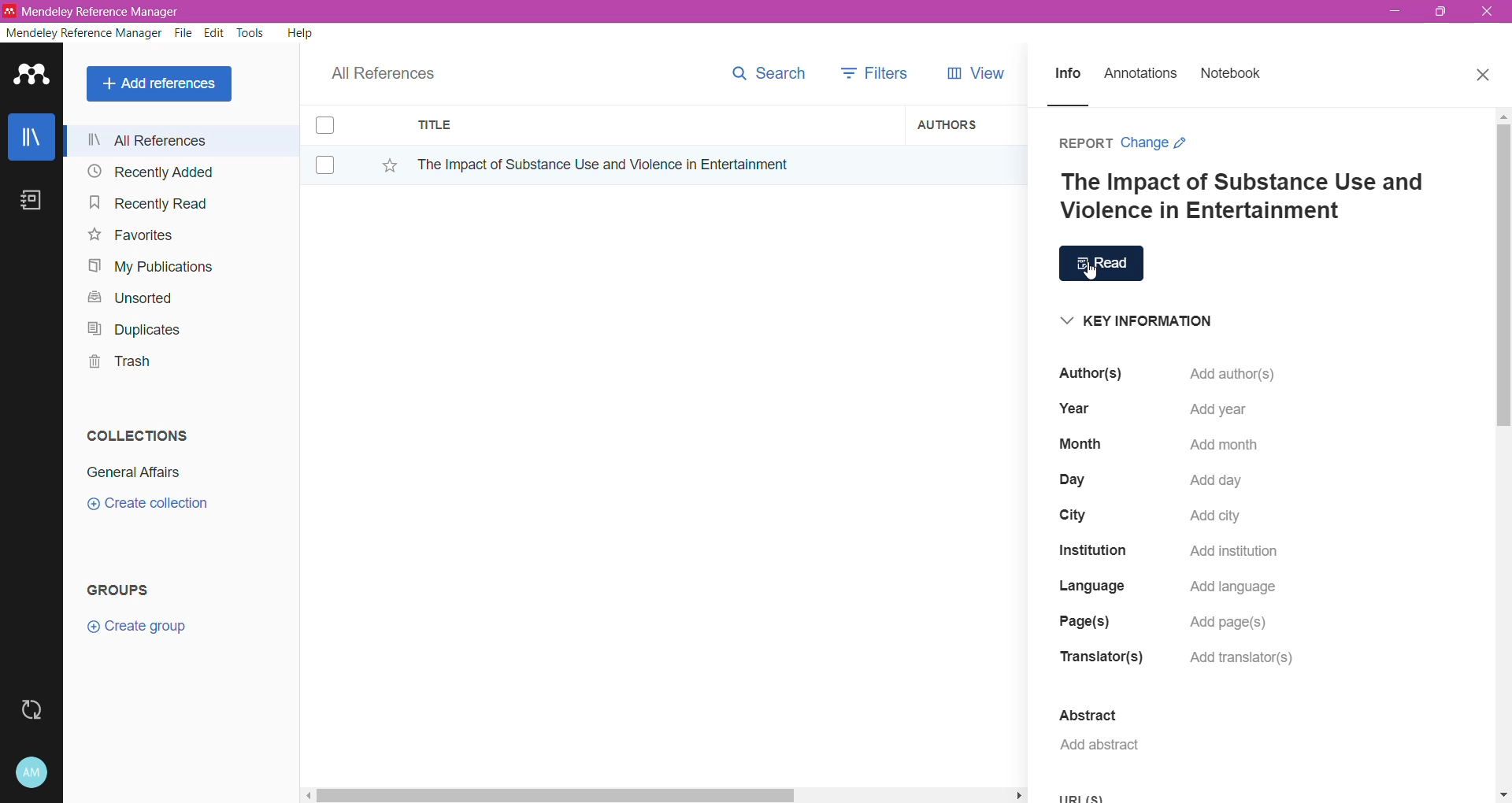 The width and height of the screenshot is (1512, 803). I want to click on Click to Add Language, so click(1240, 588).